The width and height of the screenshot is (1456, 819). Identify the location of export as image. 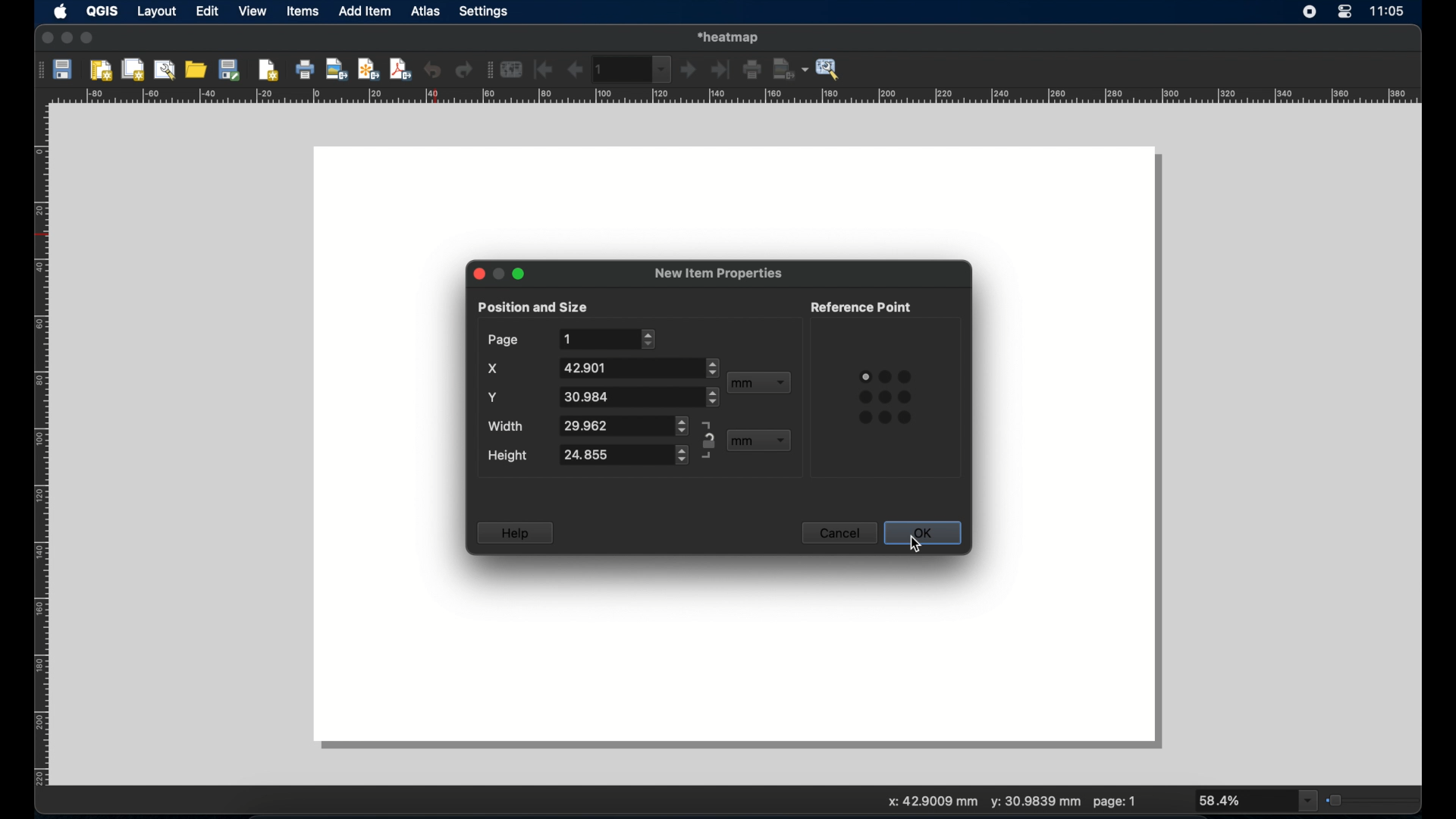
(337, 71).